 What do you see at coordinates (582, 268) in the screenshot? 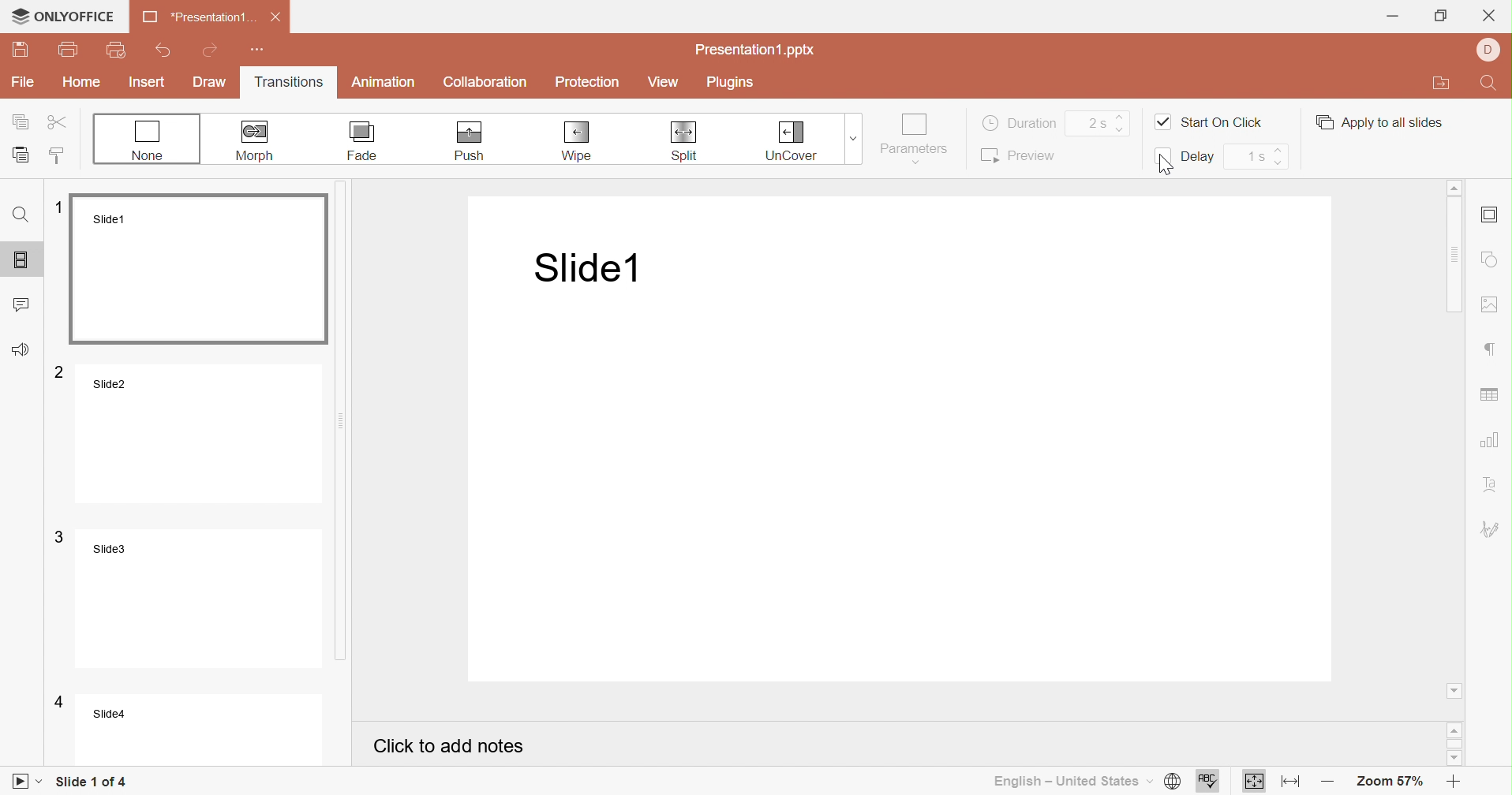
I see `Slide1` at bounding box center [582, 268].